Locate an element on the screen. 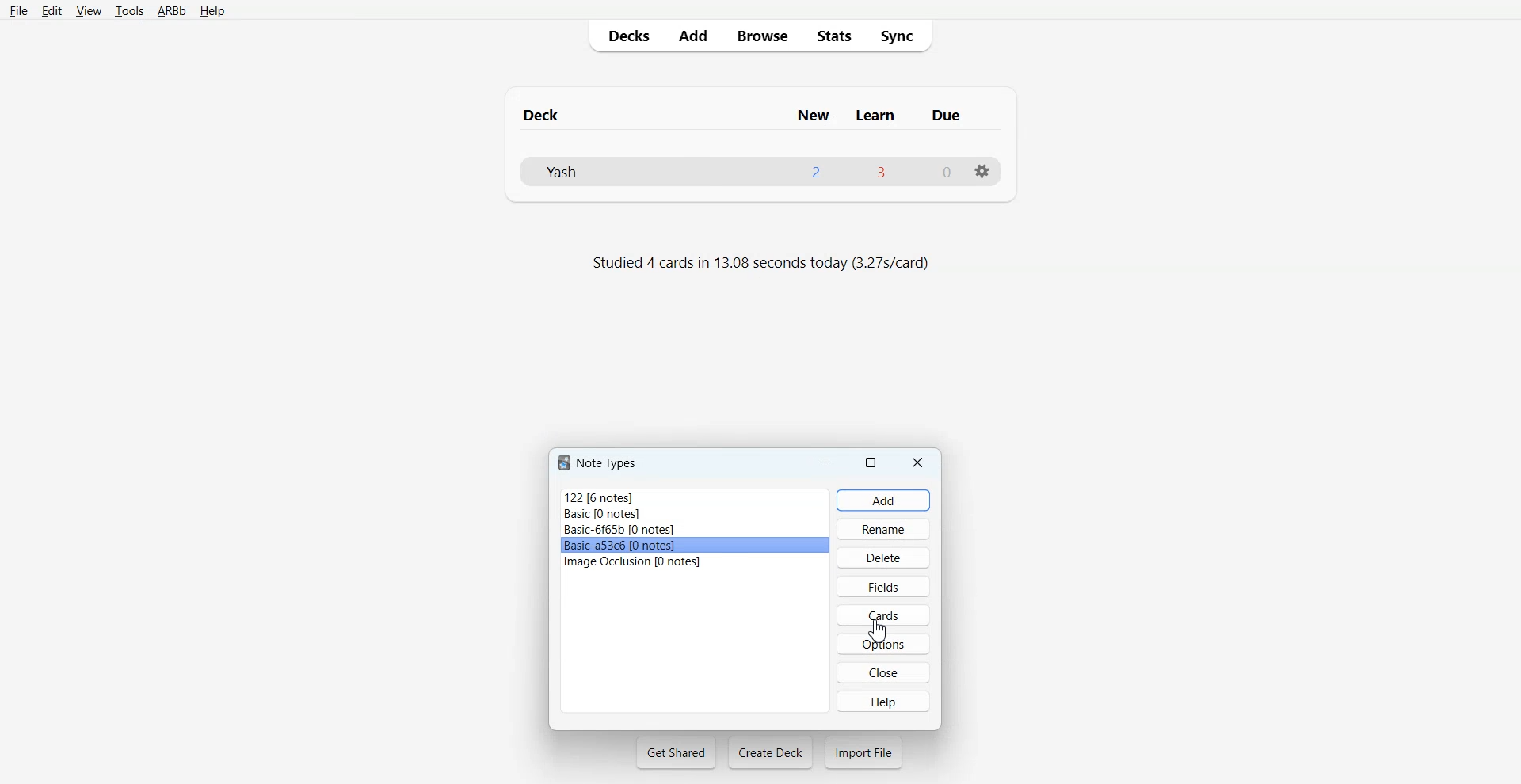  Help is located at coordinates (212, 12).